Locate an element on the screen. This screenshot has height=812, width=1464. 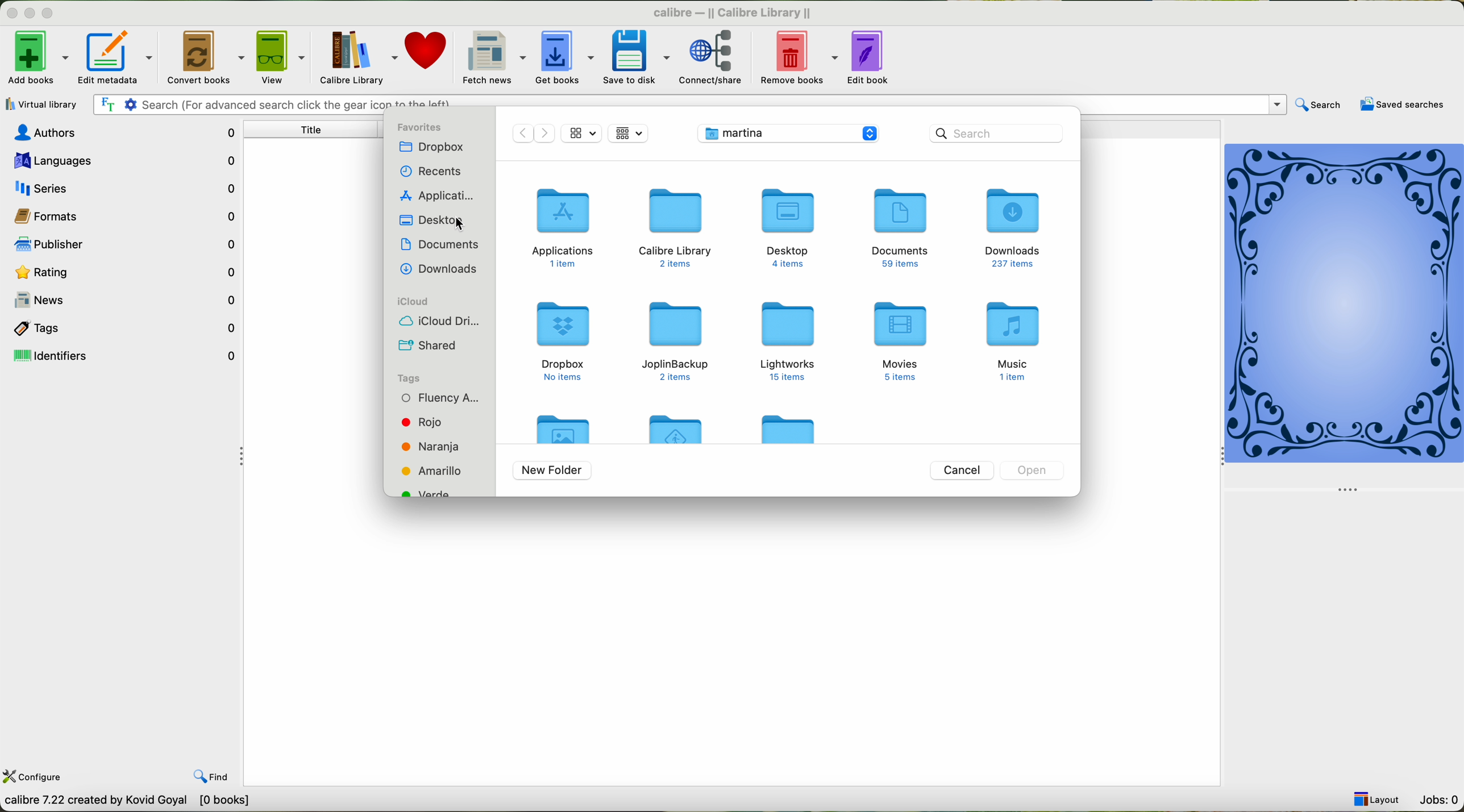
edit metadata is located at coordinates (115, 56).